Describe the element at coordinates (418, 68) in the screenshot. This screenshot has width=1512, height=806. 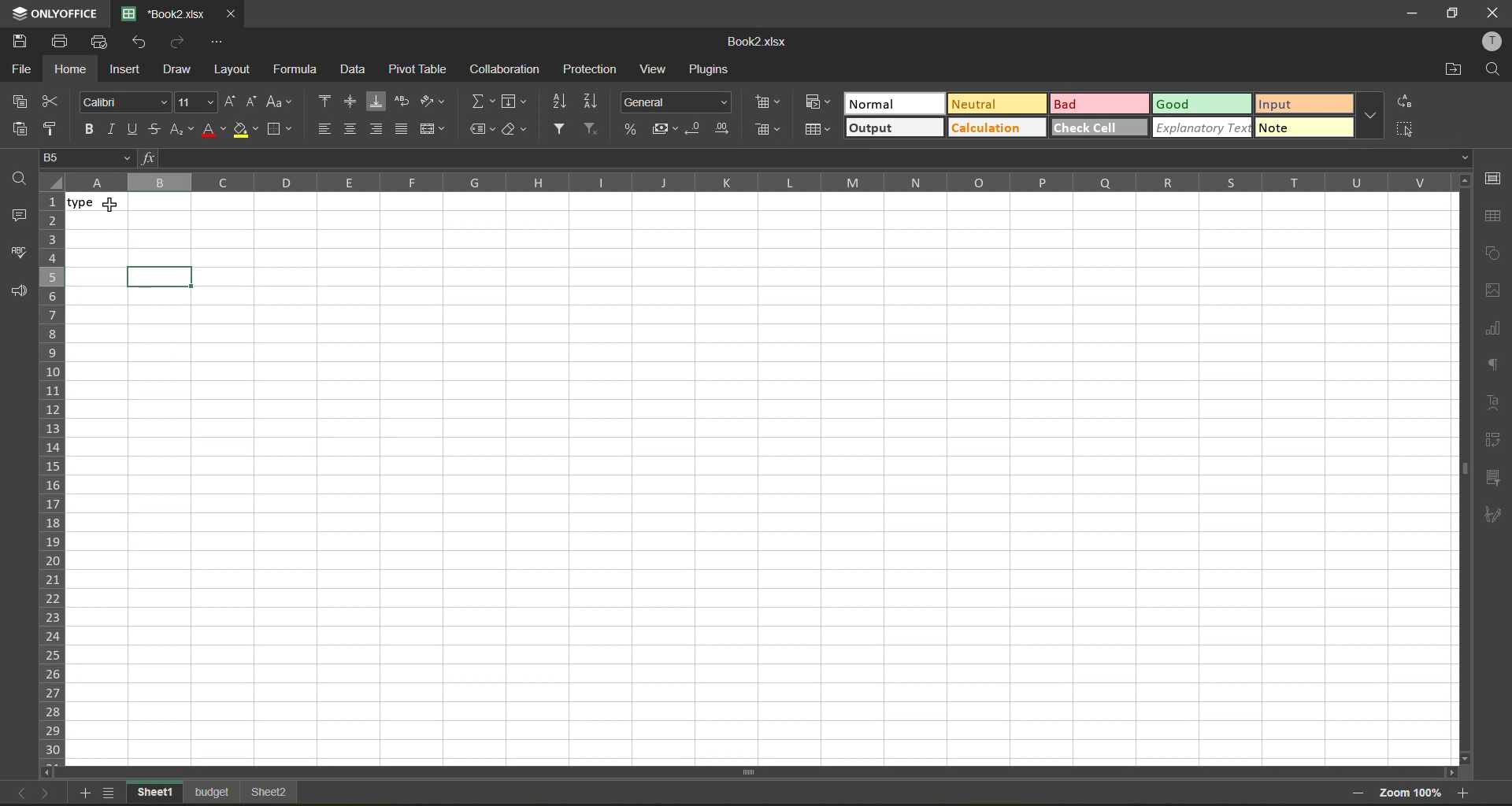
I see `pivot table` at that location.